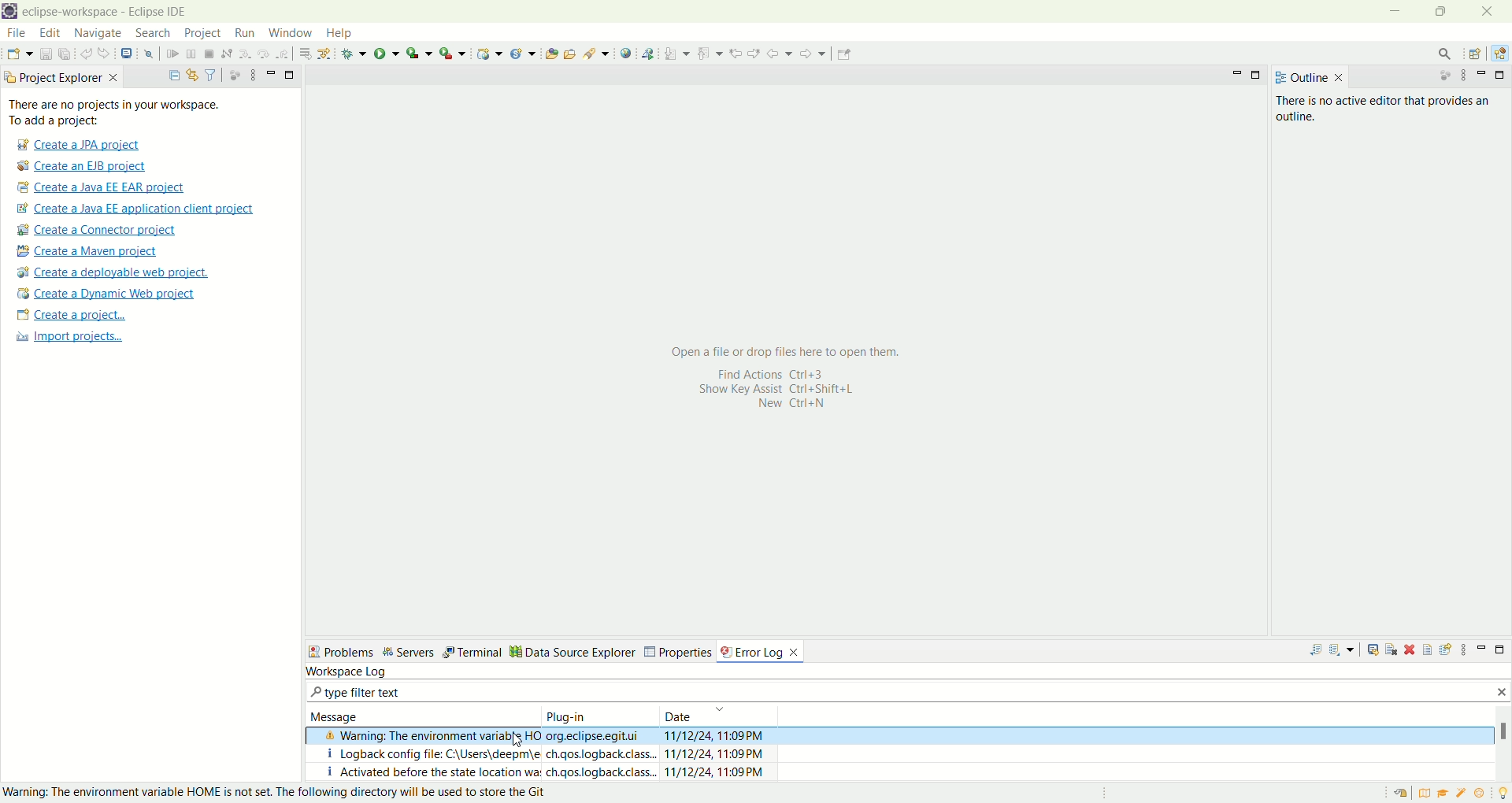  I want to click on show track trace, so click(1373, 654).